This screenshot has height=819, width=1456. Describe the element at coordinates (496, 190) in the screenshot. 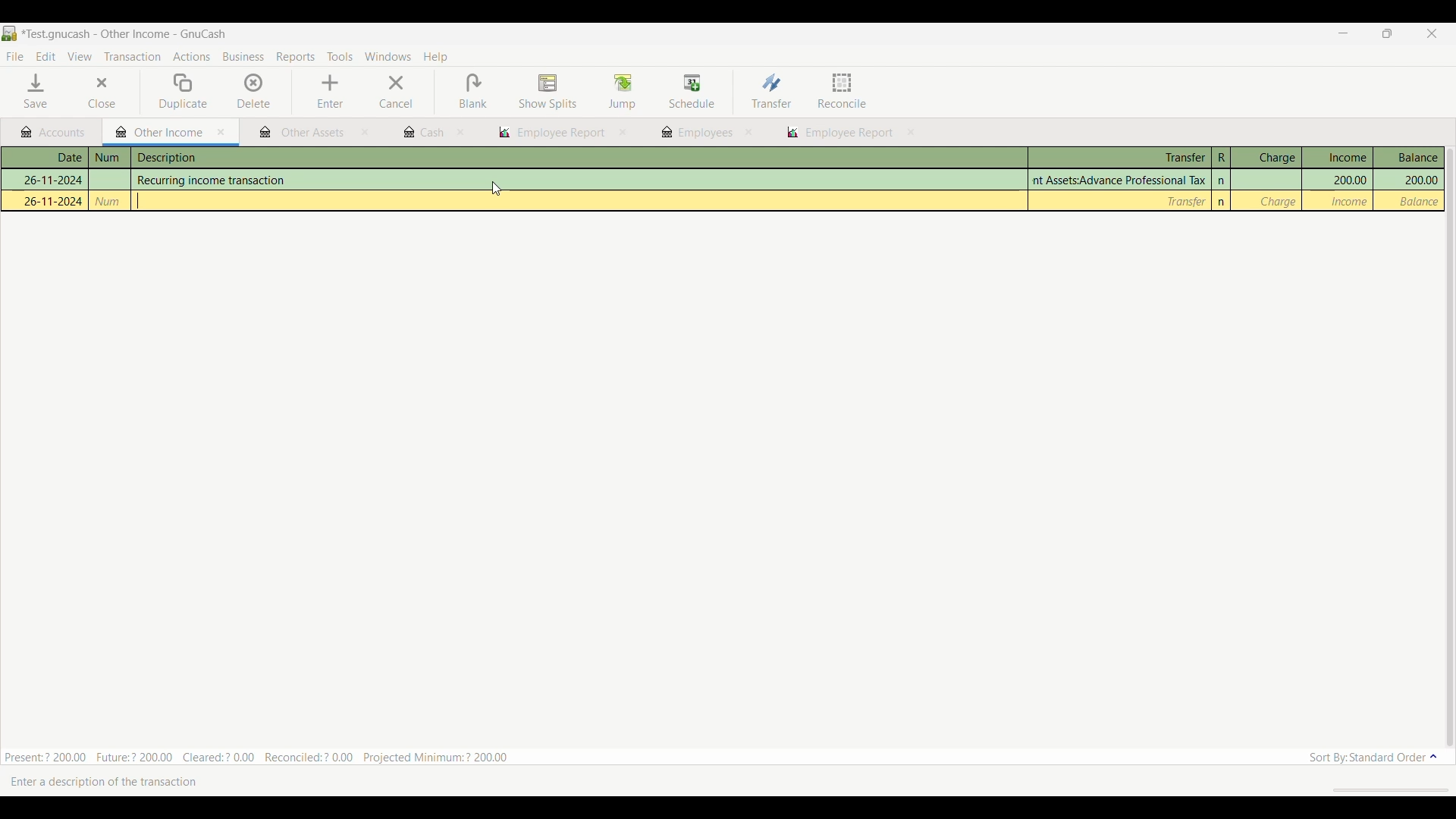

I see `cursor` at that location.